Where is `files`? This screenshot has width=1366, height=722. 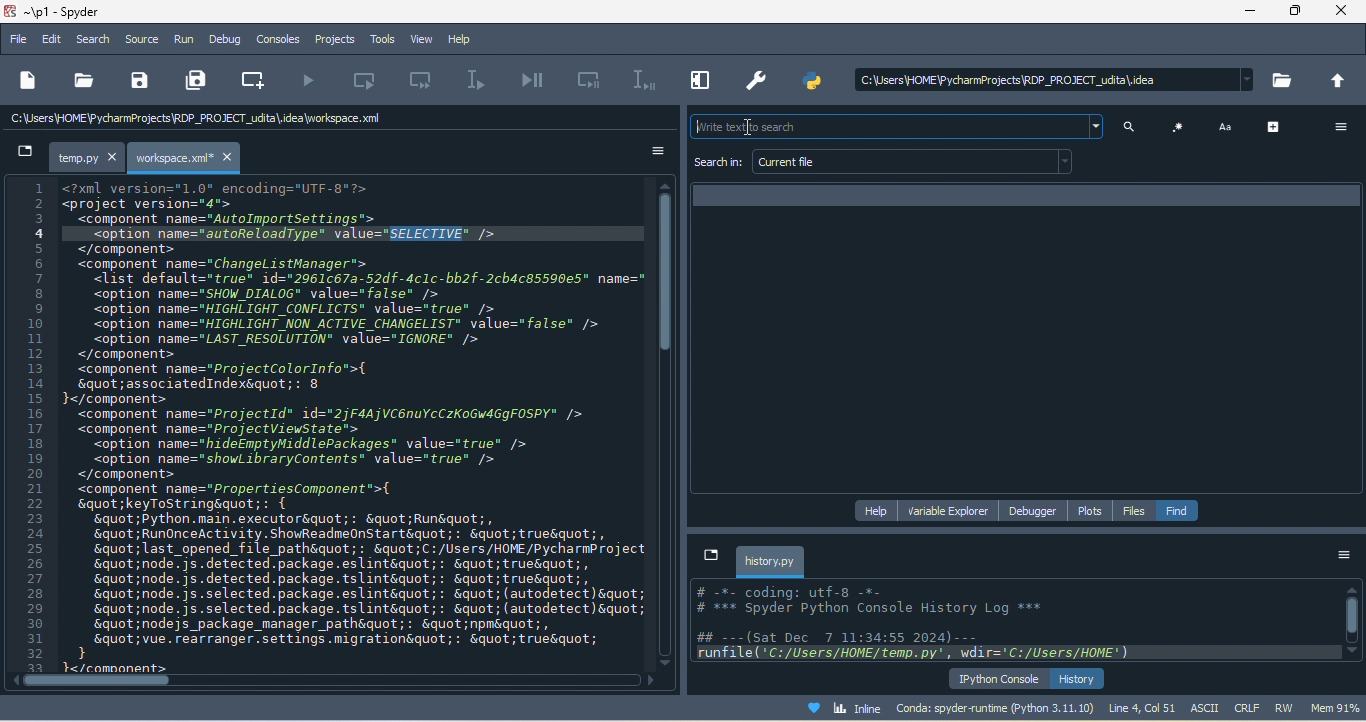 files is located at coordinates (1135, 511).